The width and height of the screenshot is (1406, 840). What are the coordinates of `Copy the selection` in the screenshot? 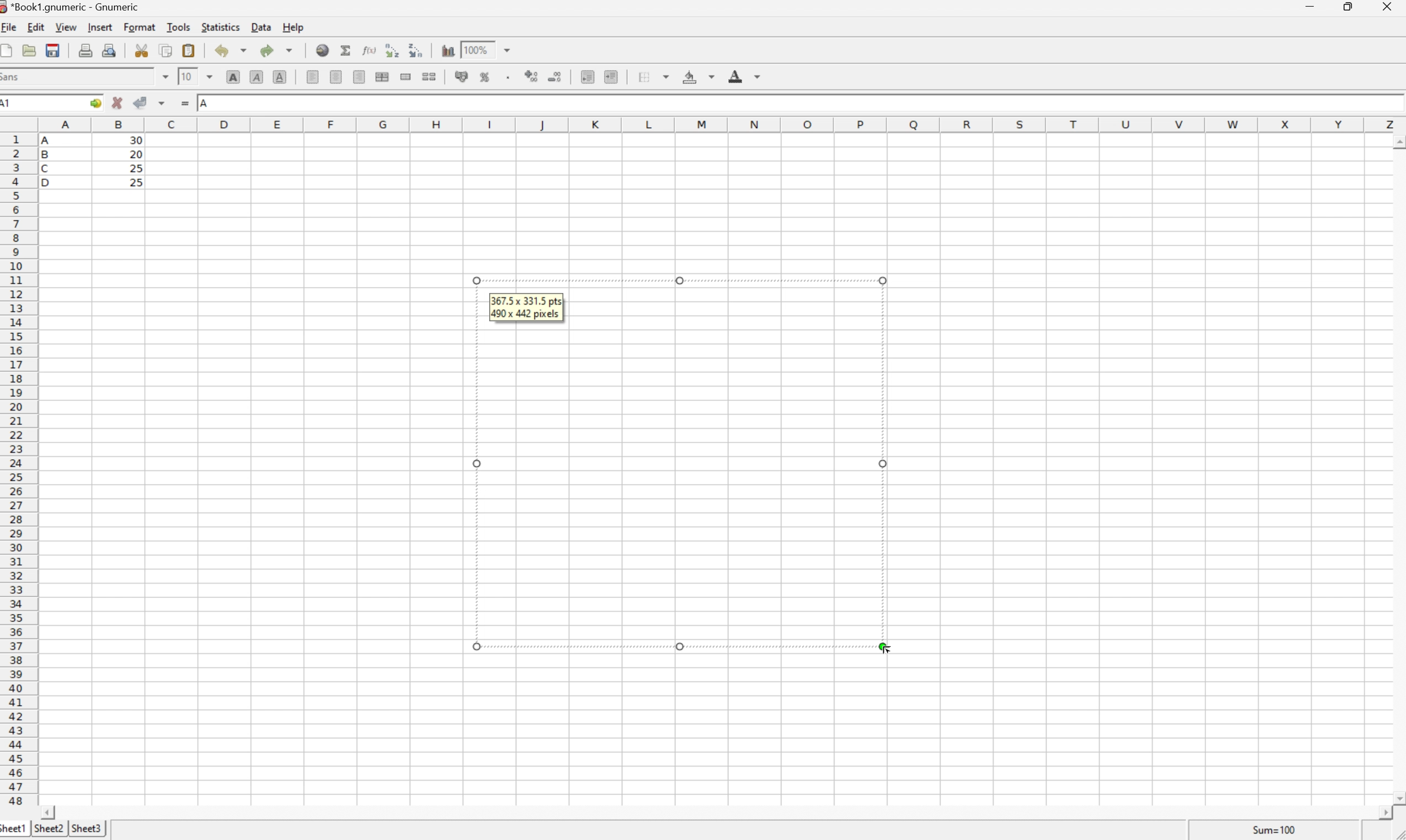 It's located at (166, 52).